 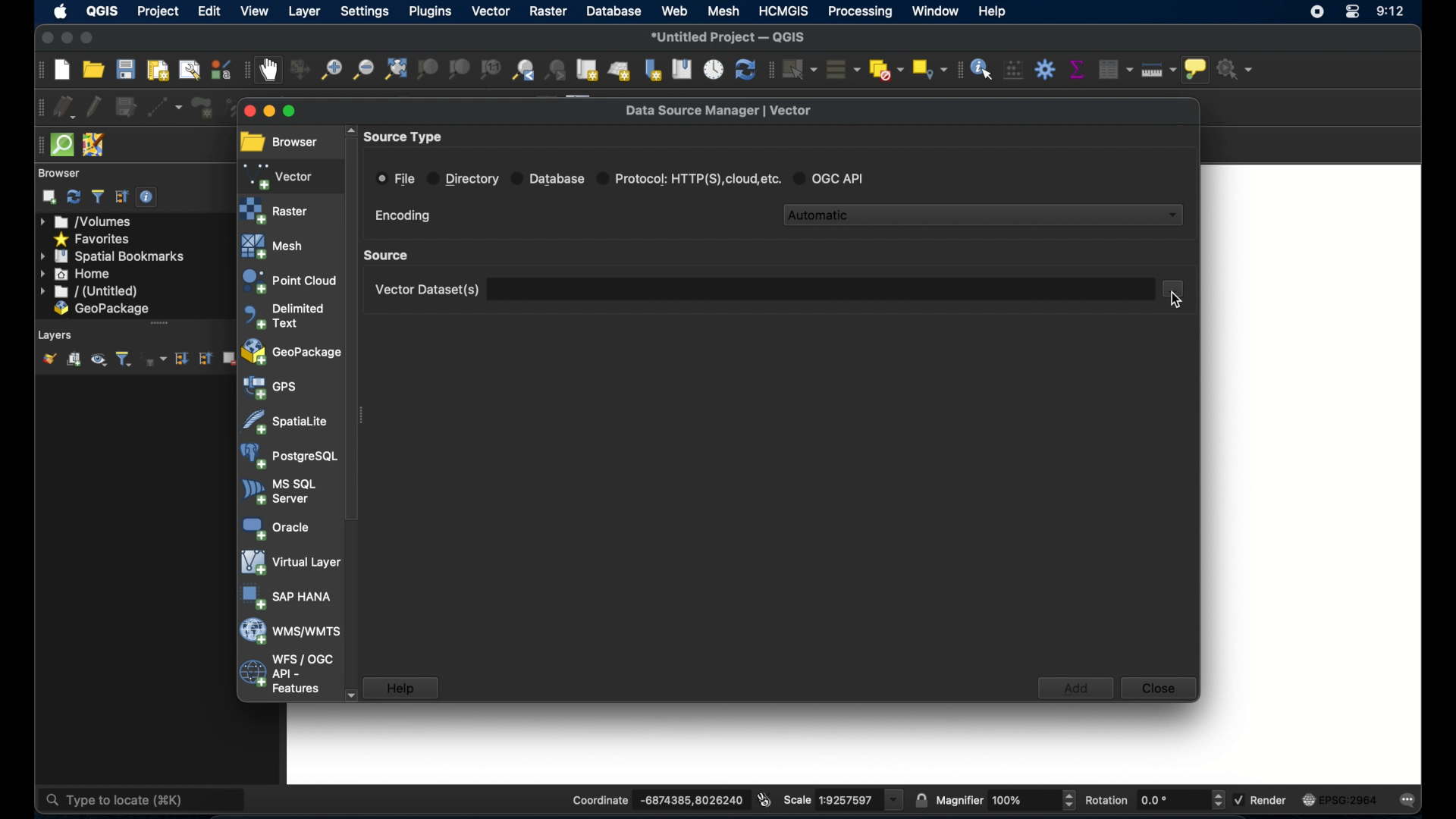 I want to click on filter browser, so click(x=97, y=196).